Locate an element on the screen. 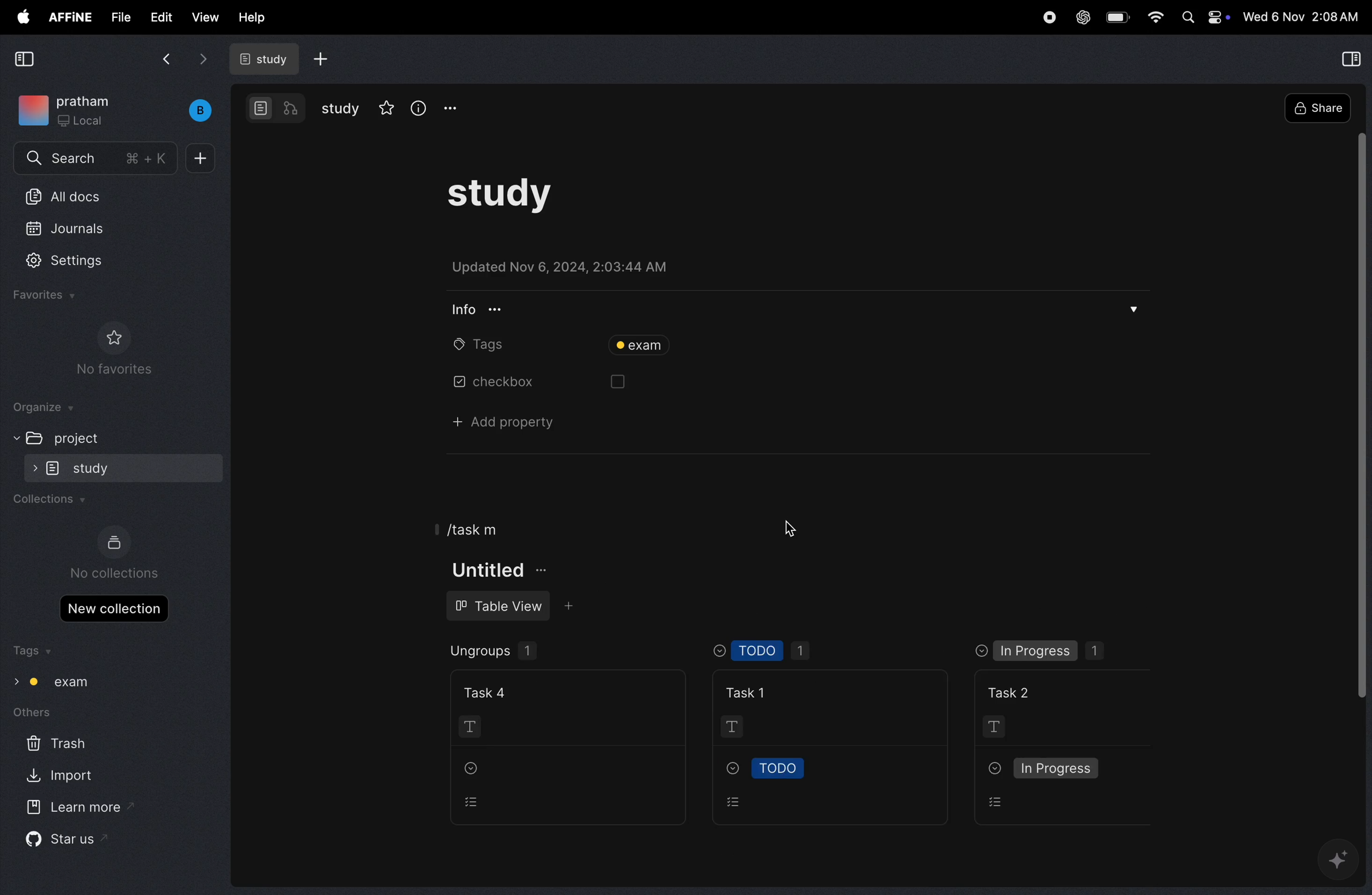 The height and width of the screenshot is (895, 1372). task 4 is located at coordinates (490, 693).